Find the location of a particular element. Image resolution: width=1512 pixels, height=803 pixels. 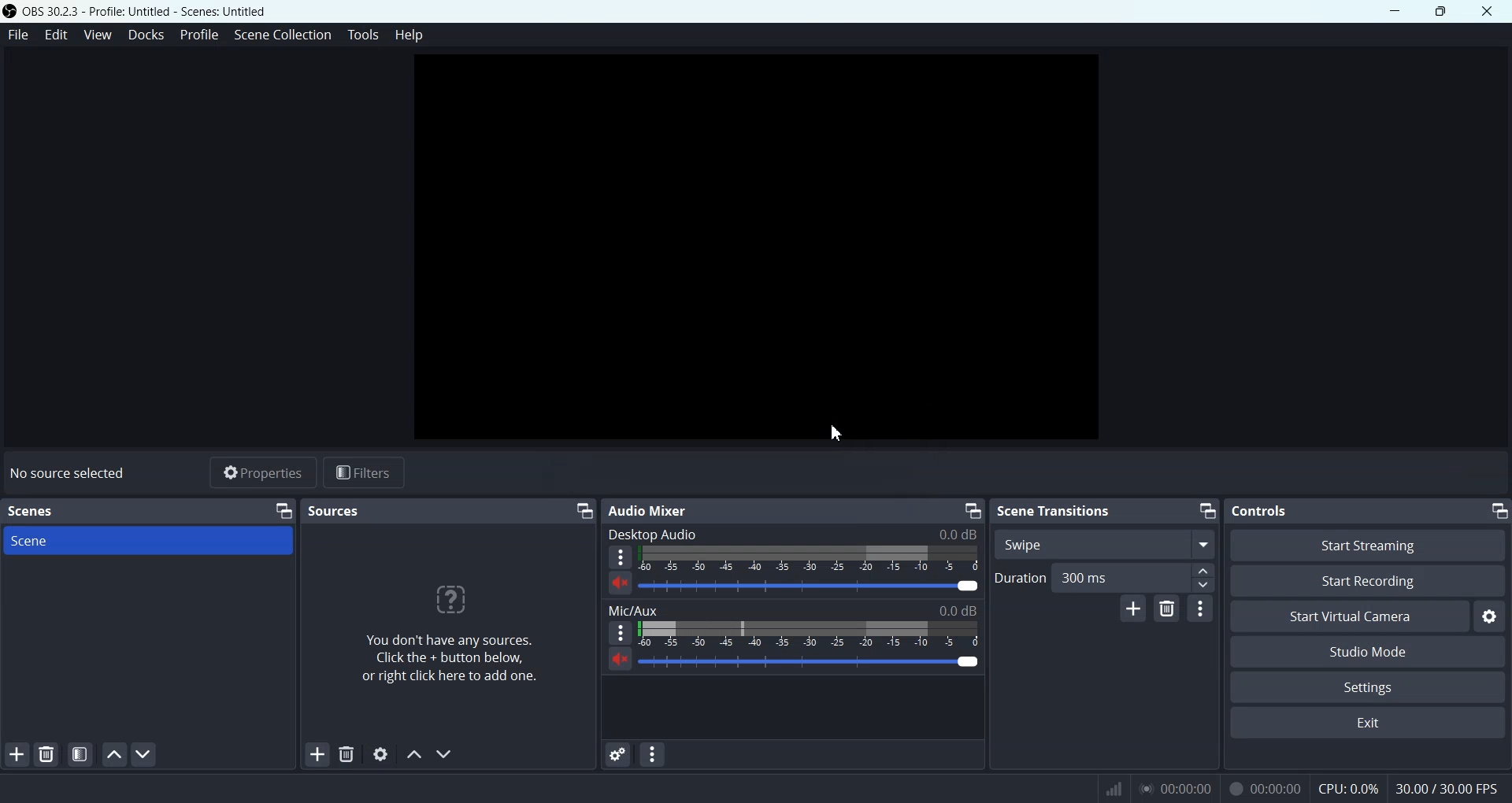

Minimize is located at coordinates (584, 510).